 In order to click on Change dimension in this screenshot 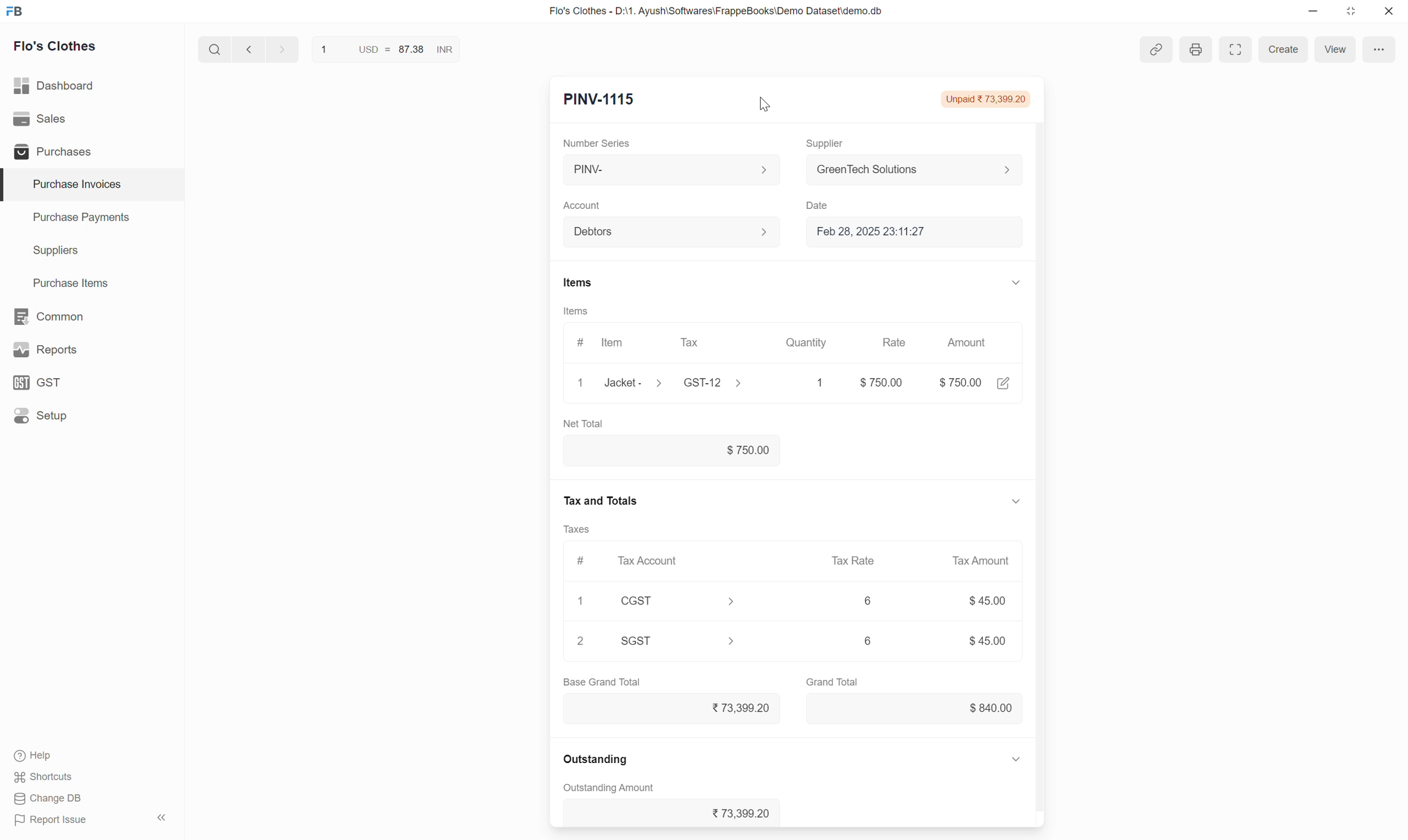, I will do `click(1350, 11)`.